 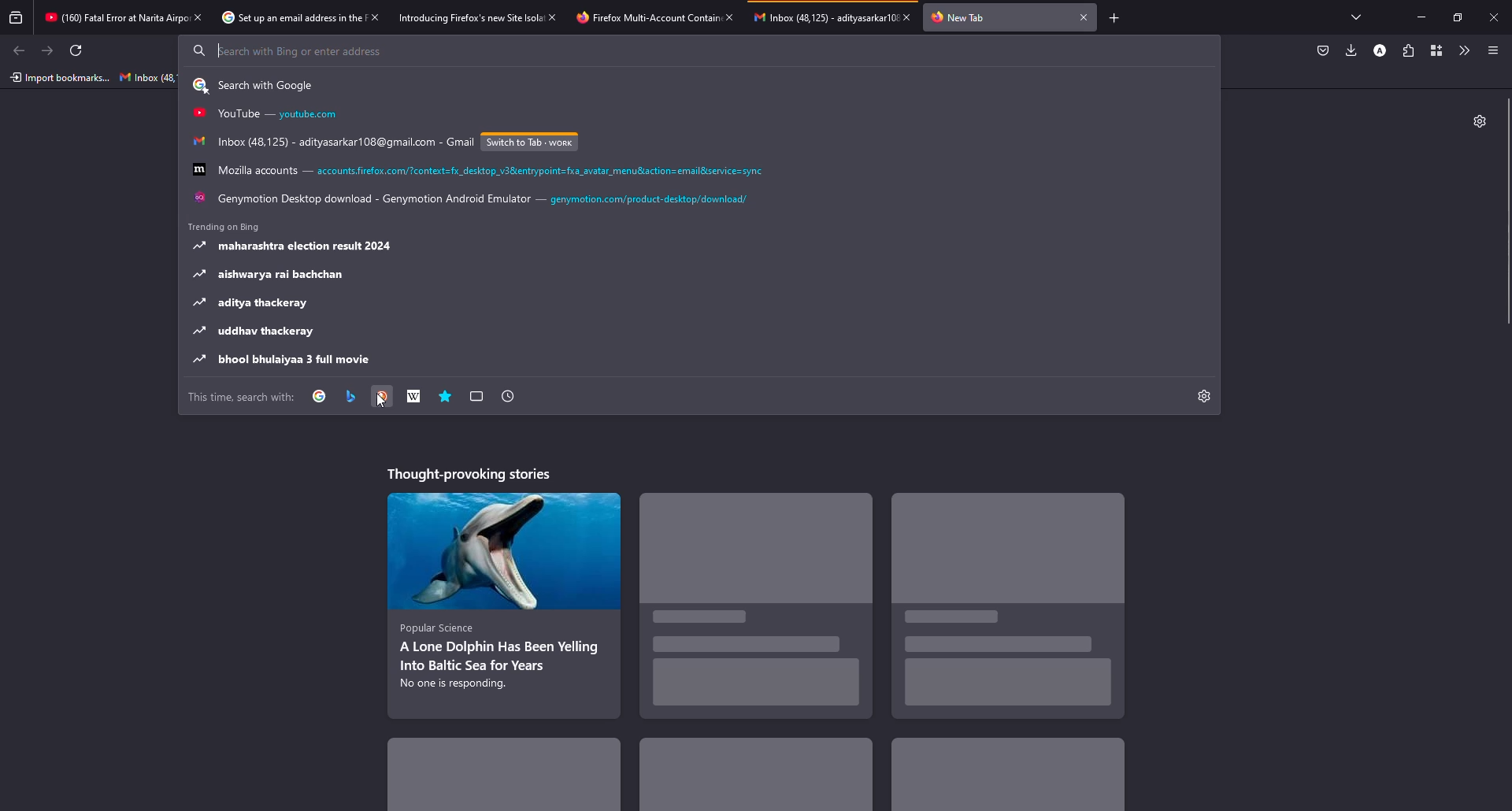 I want to click on tabs, so click(x=477, y=396).